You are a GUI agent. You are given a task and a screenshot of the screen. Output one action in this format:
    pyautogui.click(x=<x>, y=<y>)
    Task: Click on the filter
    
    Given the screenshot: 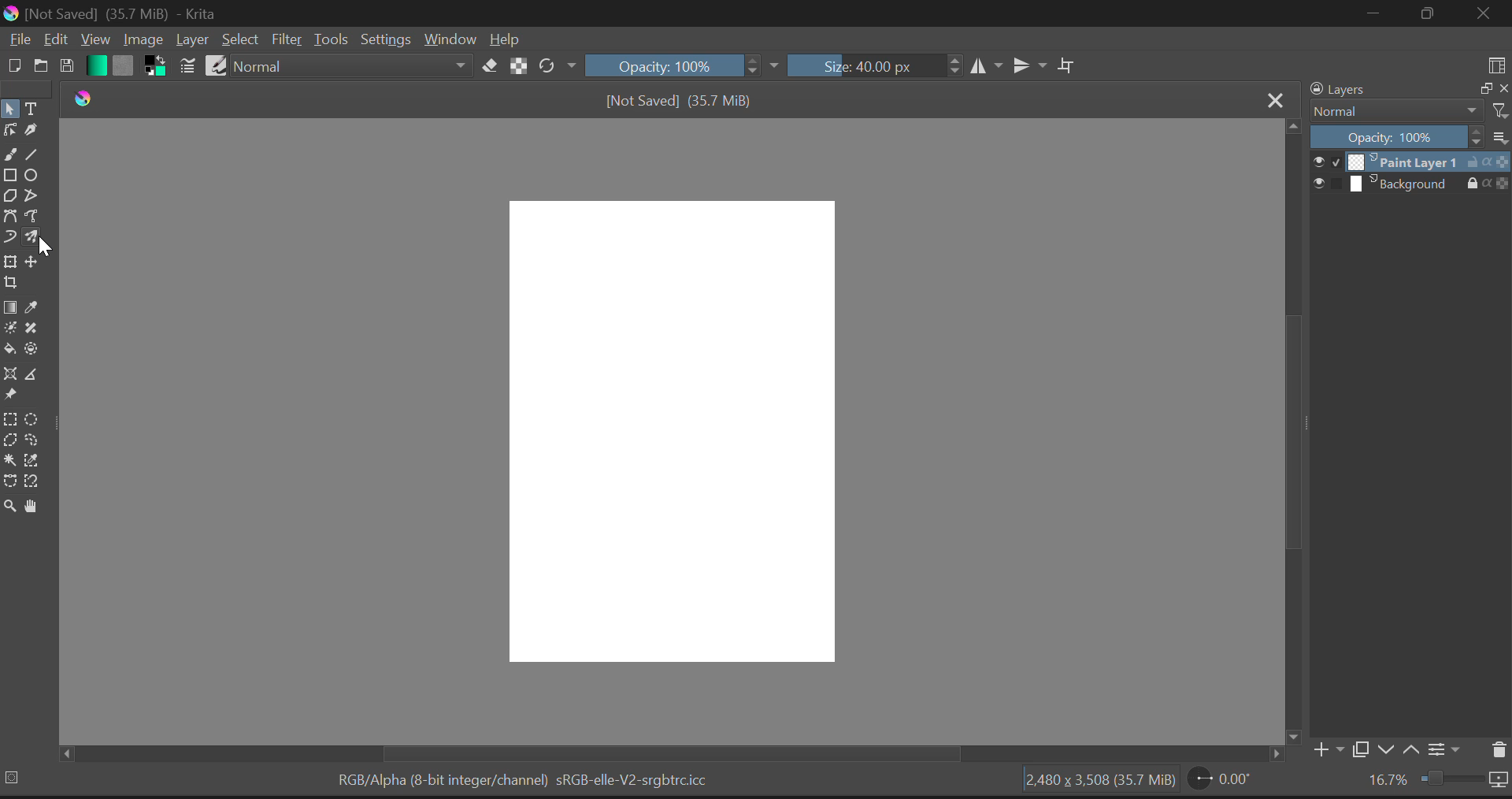 What is the action you would take?
    pyautogui.click(x=1499, y=109)
    